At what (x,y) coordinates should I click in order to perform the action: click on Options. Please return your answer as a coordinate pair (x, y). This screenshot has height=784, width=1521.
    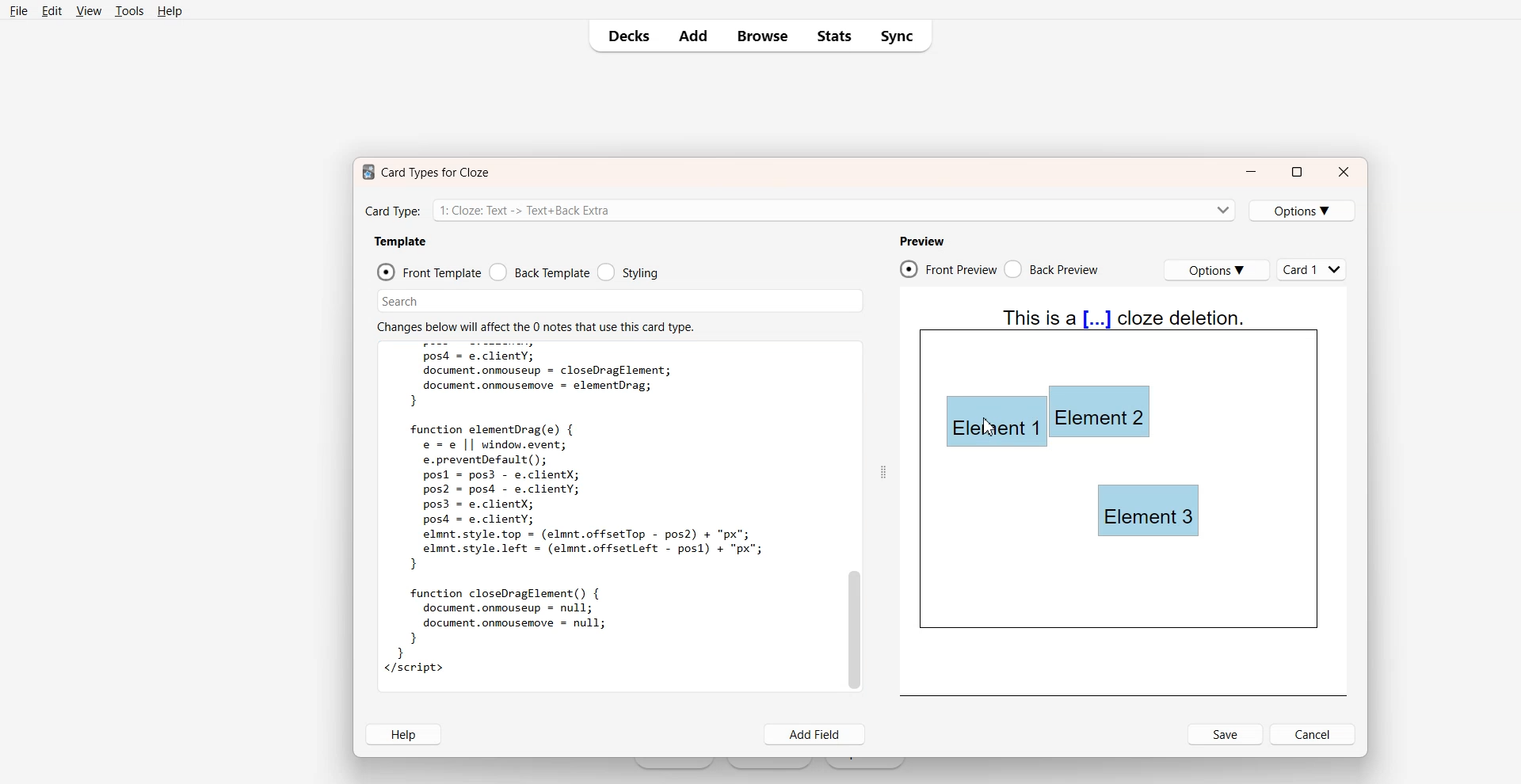
    Looking at the image, I should click on (1216, 270).